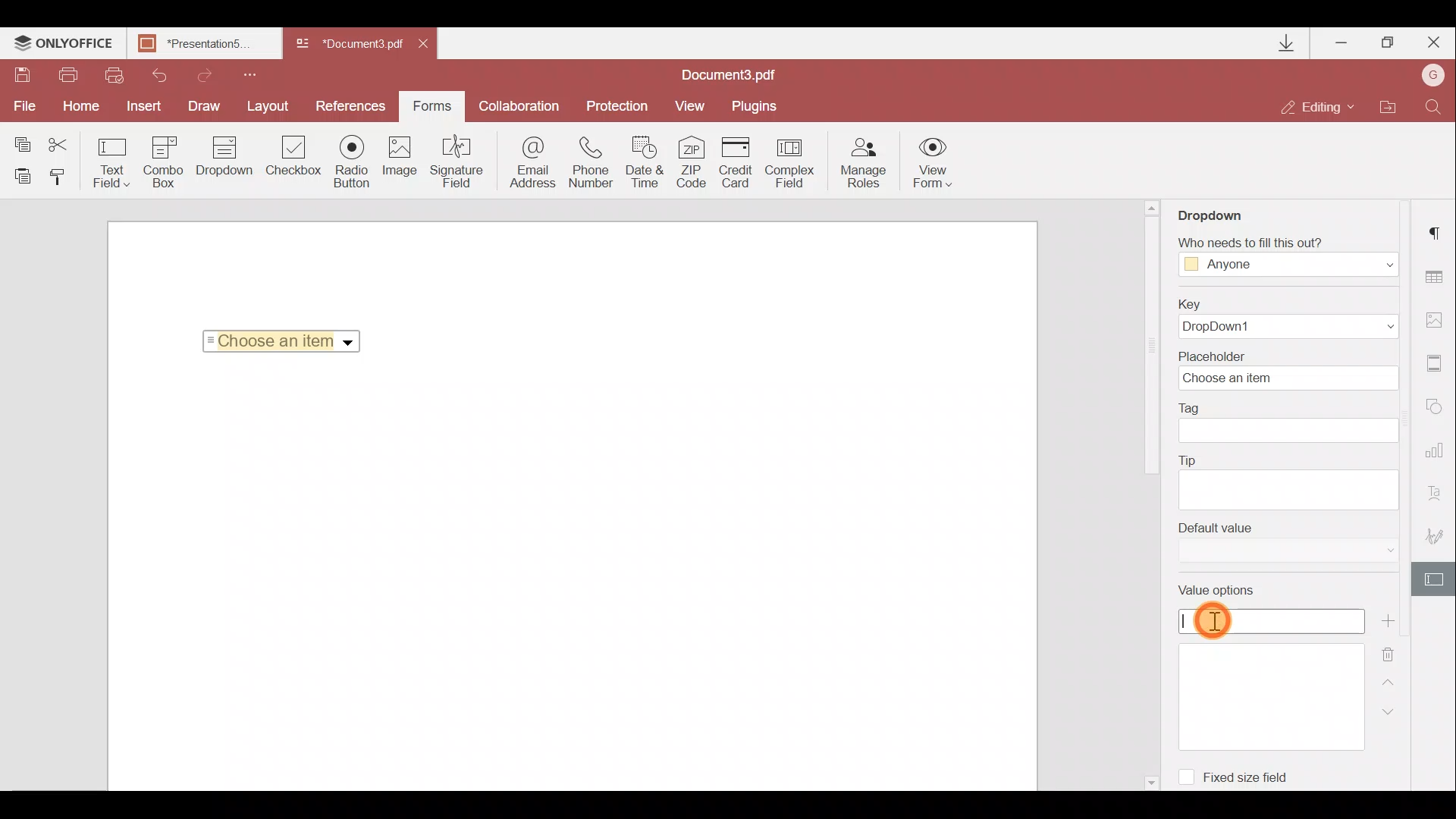 This screenshot has height=819, width=1456. Describe the element at coordinates (1393, 711) in the screenshot. I see `Down` at that location.